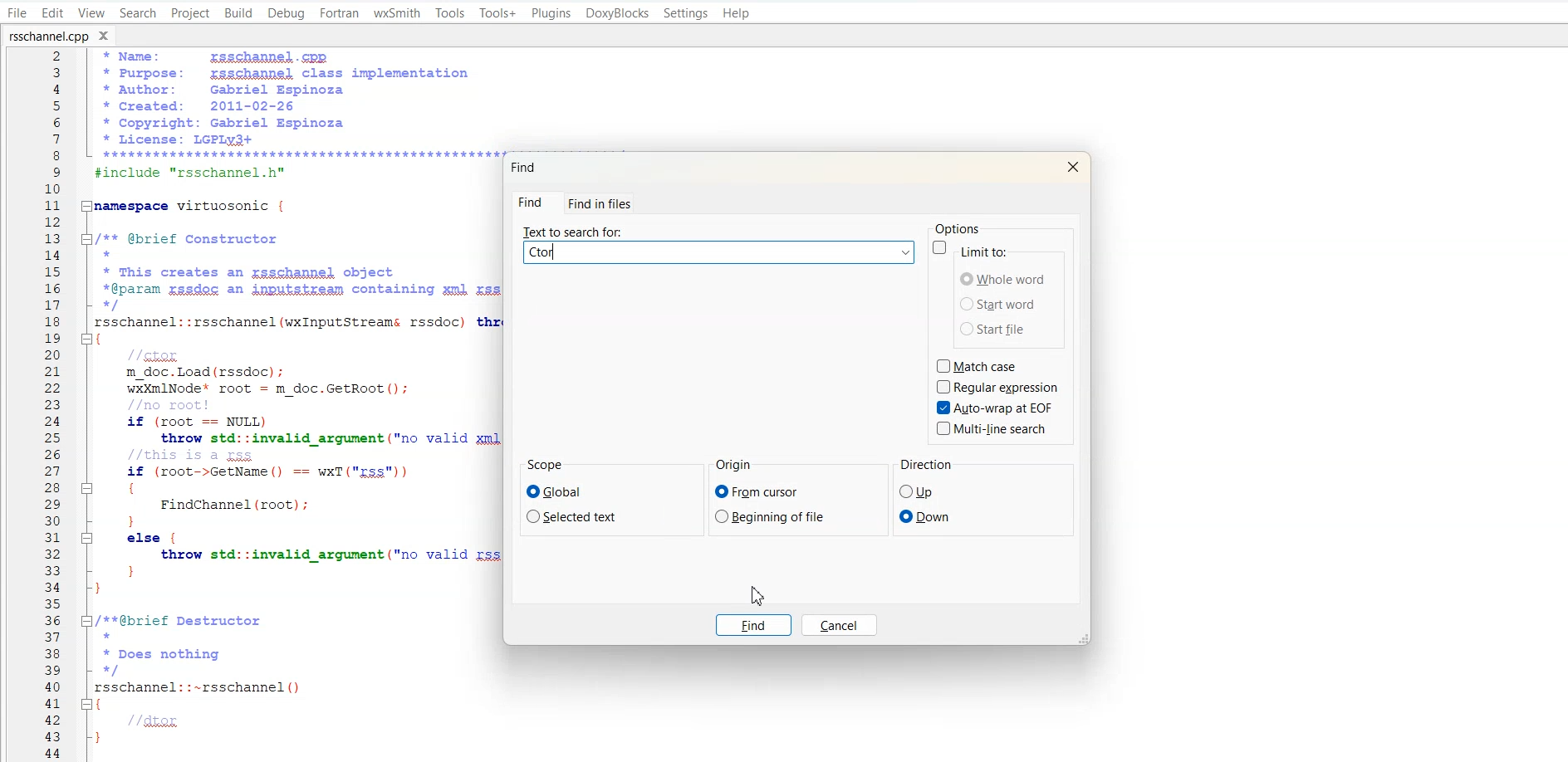 The height and width of the screenshot is (762, 1568). I want to click on Text, so click(719, 252).